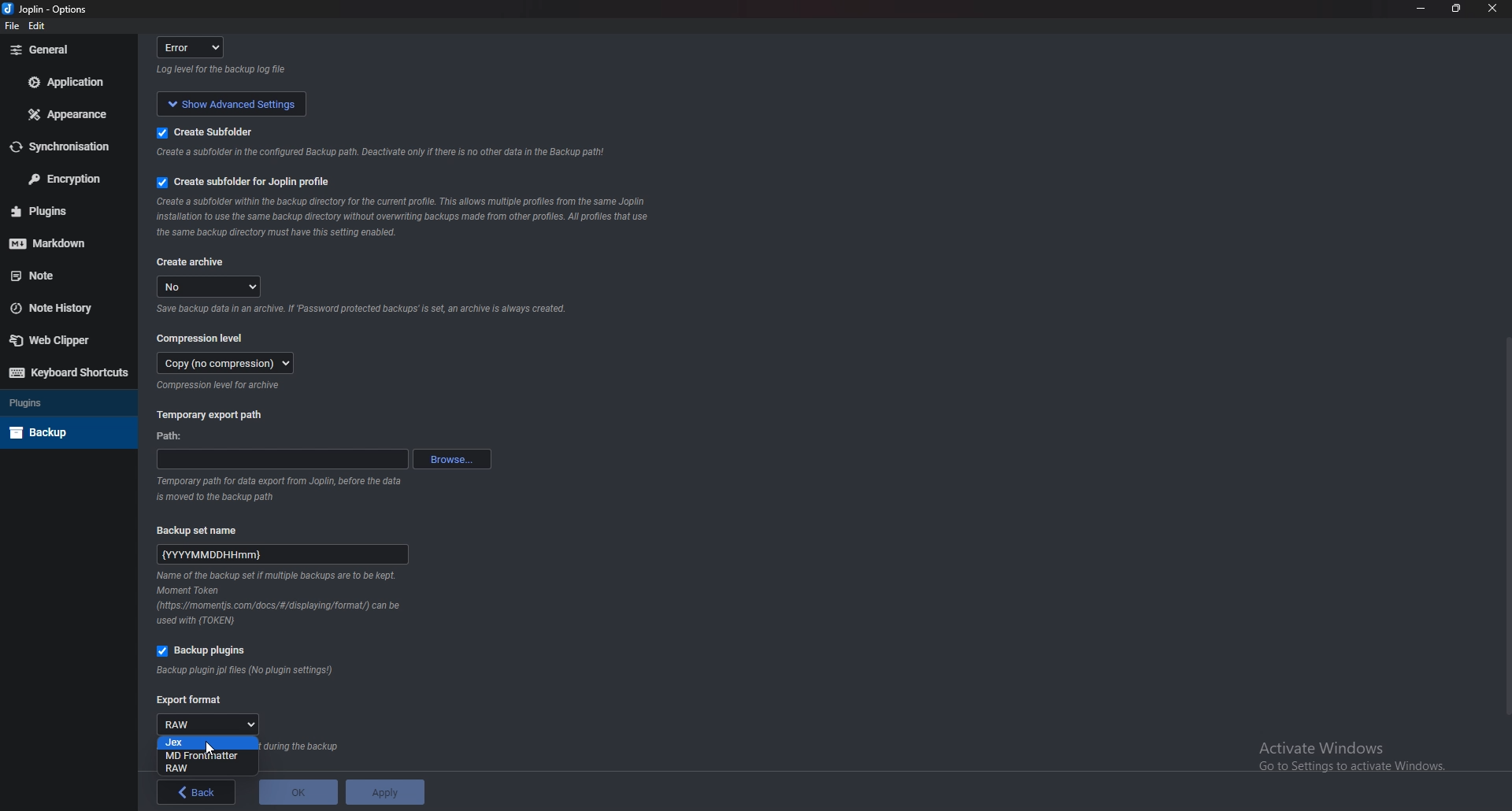 The height and width of the screenshot is (811, 1512). What do you see at coordinates (65, 50) in the screenshot?
I see `General` at bounding box center [65, 50].